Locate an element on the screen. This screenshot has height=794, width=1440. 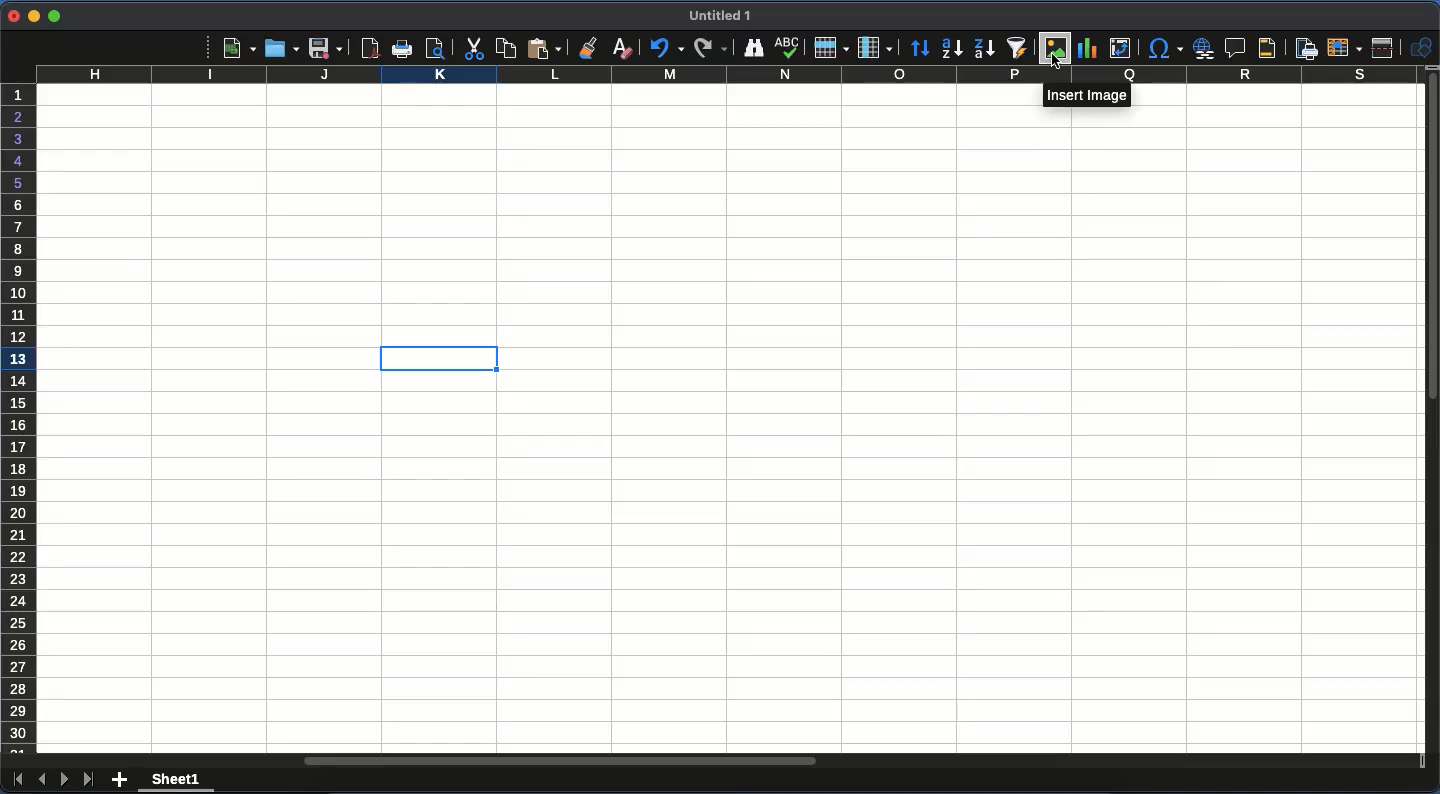
print is located at coordinates (402, 48).